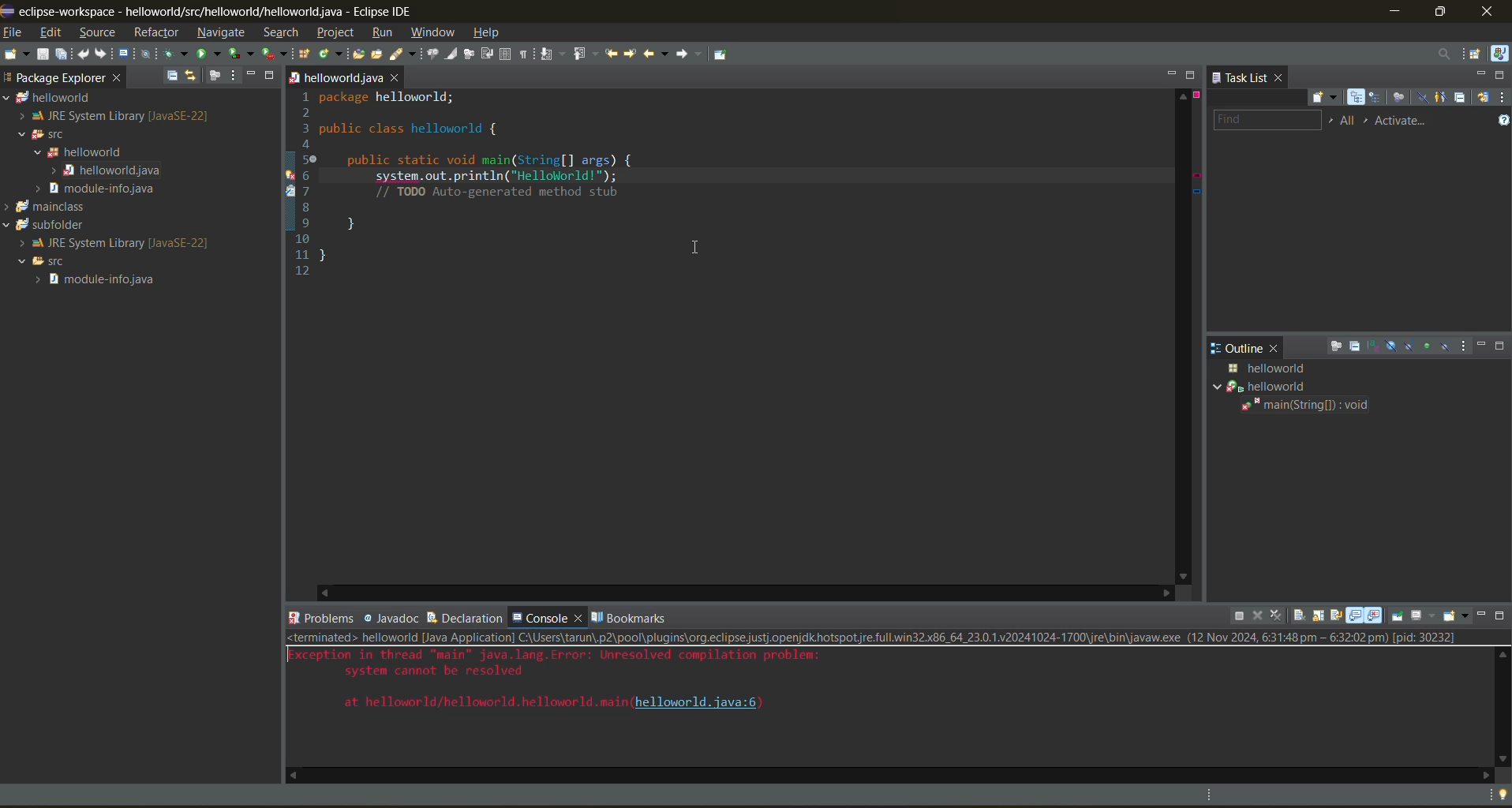 This screenshot has height=808, width=1512. What do you see at coordinates (1375, 615) in the screenshot?
I see `show console error changes` at bounding box center [1375, 615].